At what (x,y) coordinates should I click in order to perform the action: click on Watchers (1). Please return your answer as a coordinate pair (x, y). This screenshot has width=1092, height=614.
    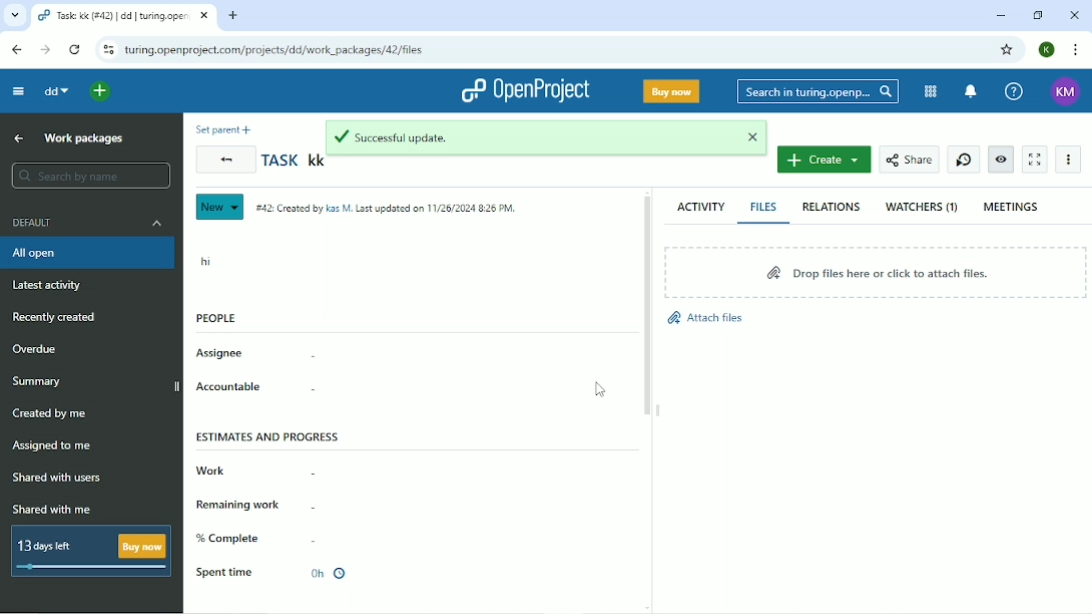
    Looking at the image, I should click on (920, 207).